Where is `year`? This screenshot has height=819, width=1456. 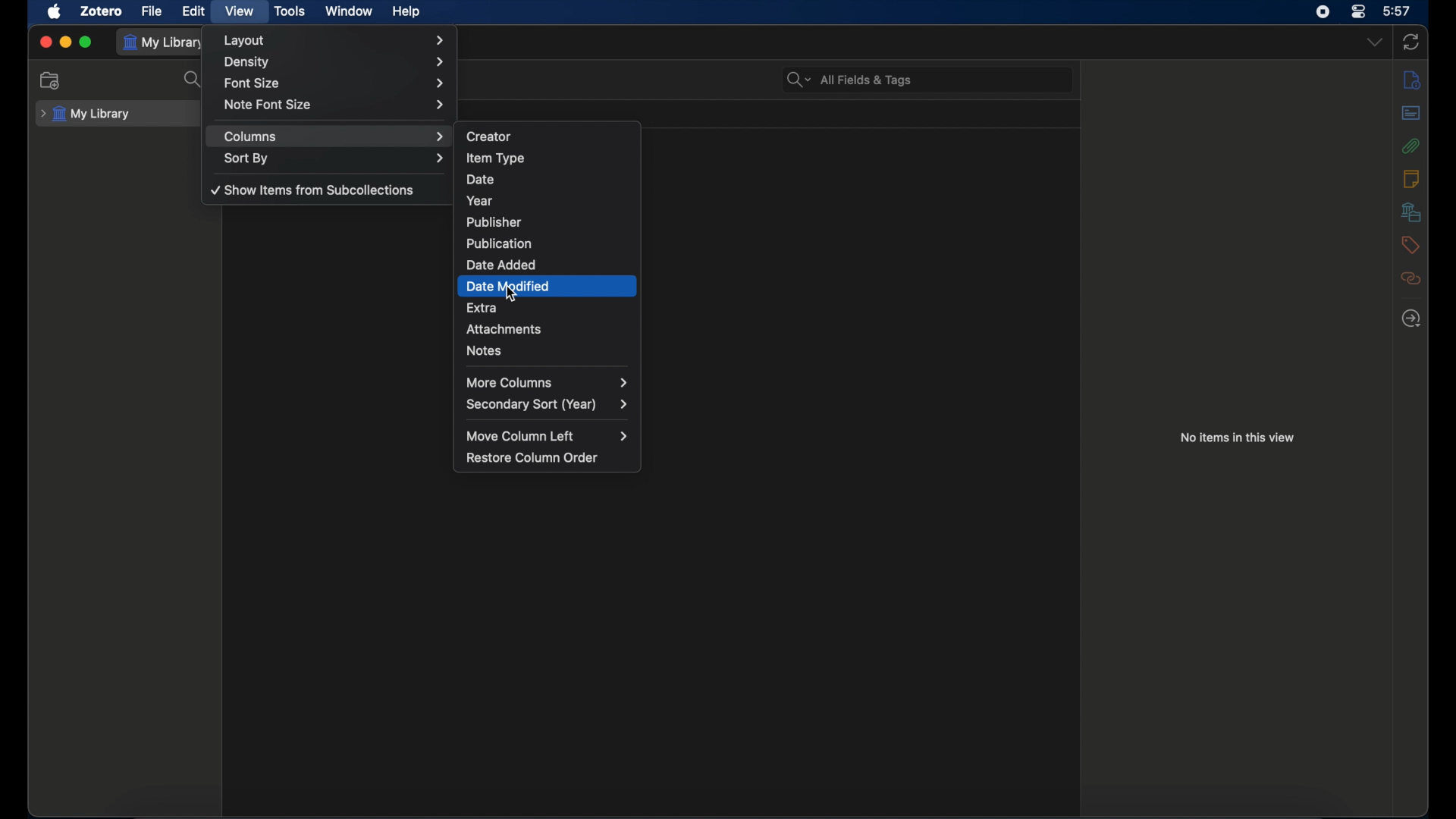
year is located at coordinates (548, 199).